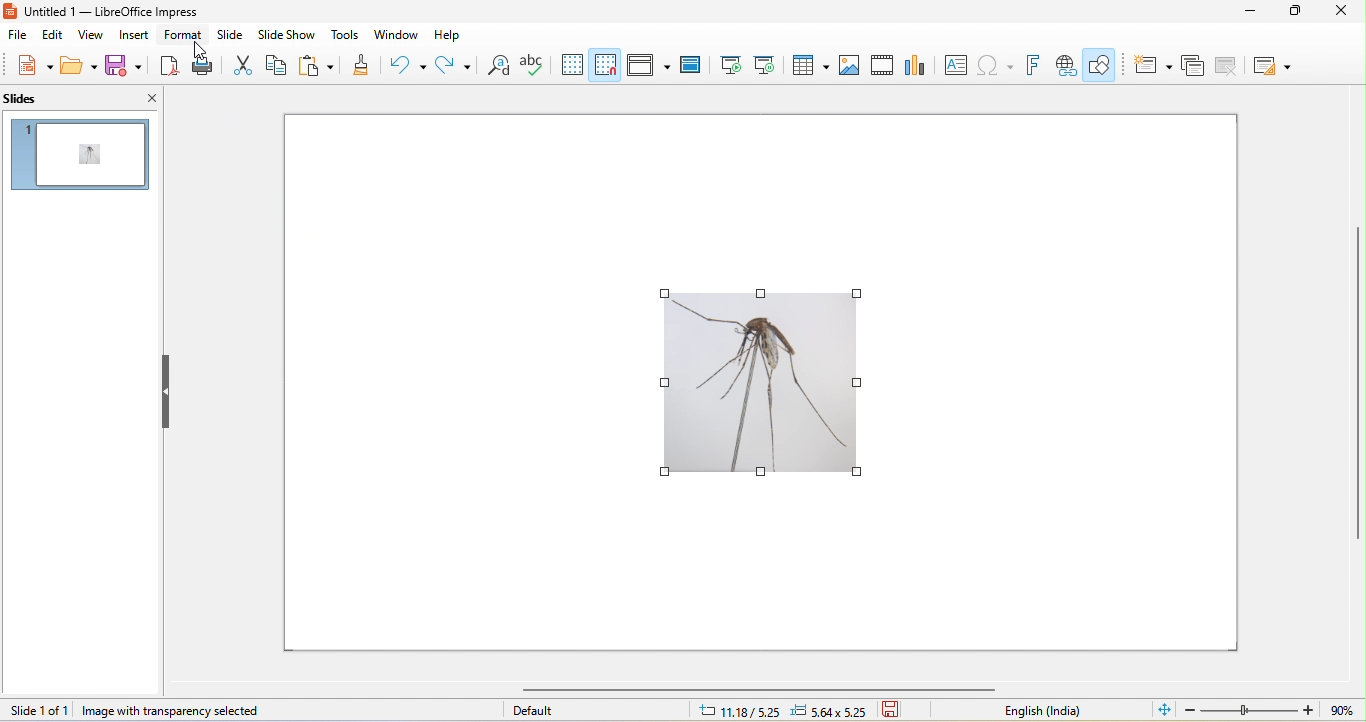  Describe the element at coordinates (1298, 15) in the screenshot. I see `maximize` at that location.